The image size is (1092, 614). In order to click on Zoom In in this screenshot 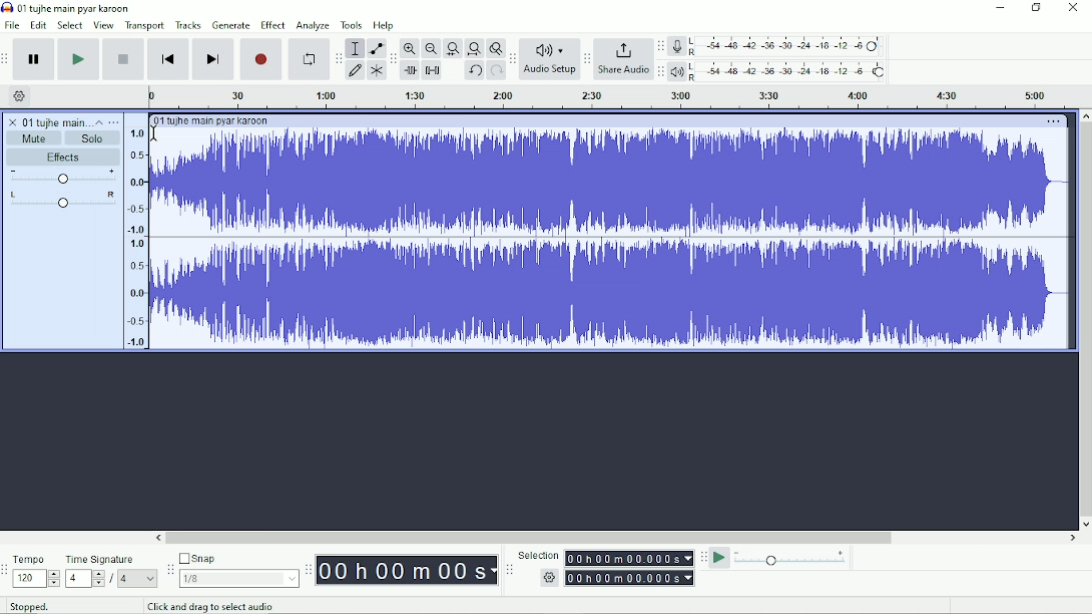, I will do `click(410, 48)`.